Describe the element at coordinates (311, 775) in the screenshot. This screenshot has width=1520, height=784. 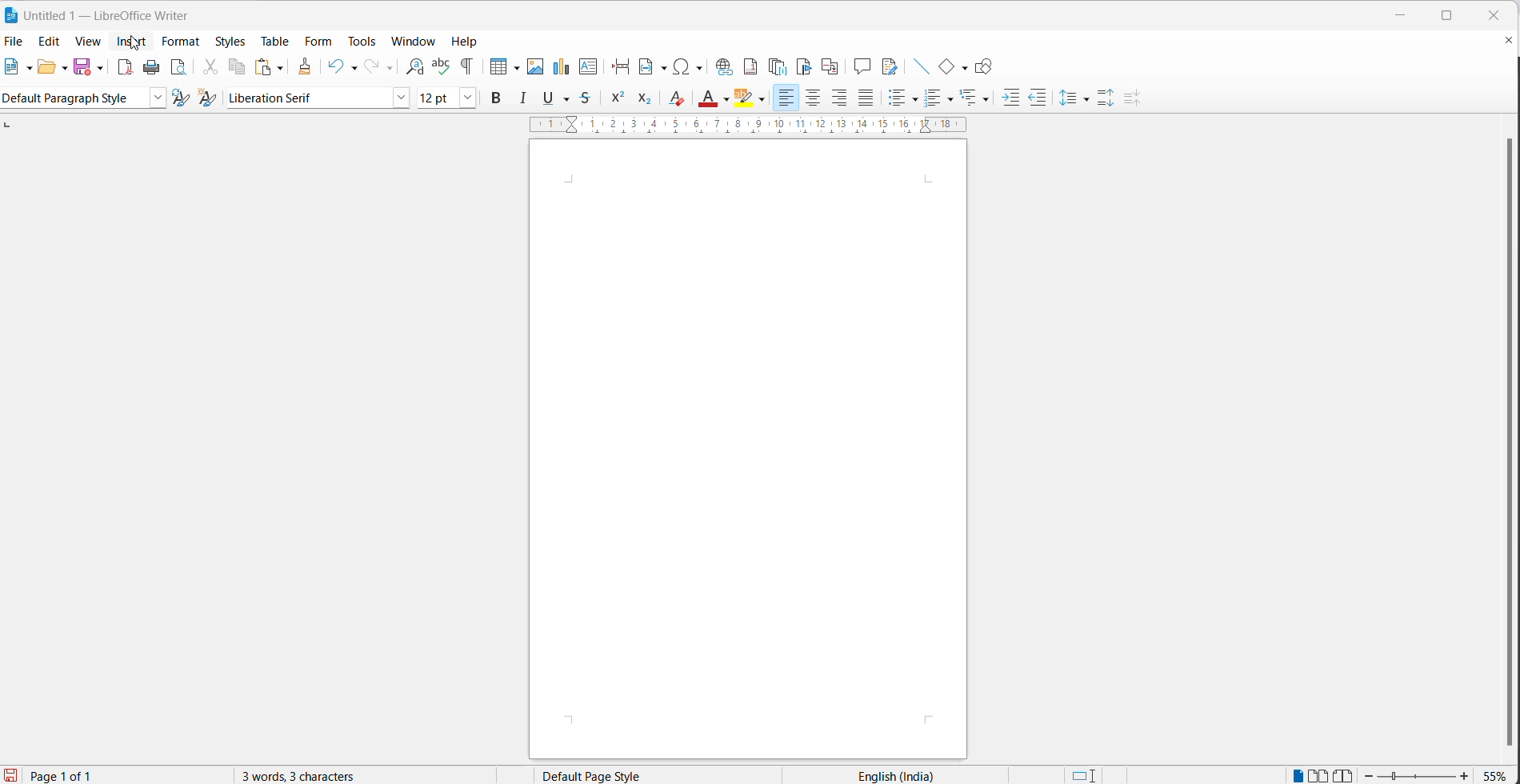
I see `3 words, 3 characters ` at that location.